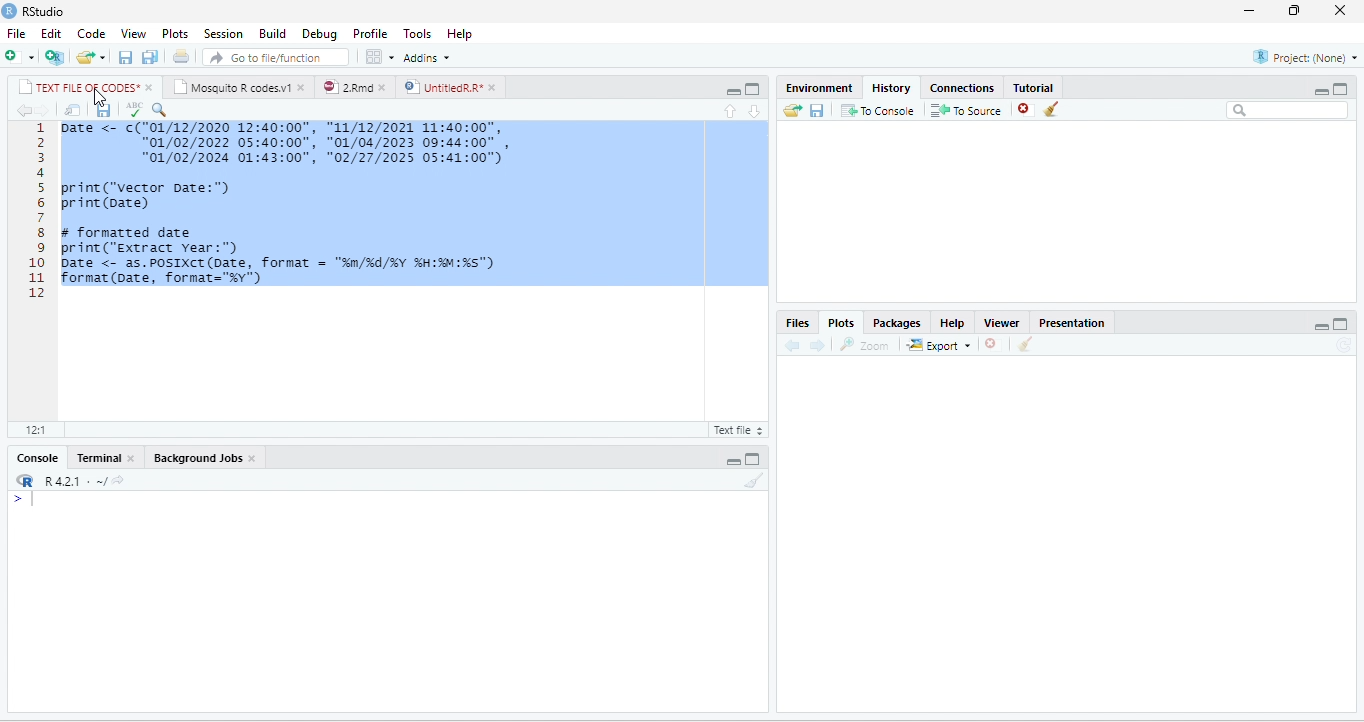 The height and width of the screenshot is (722, 1364). Describe the element at coordinates (817, 345) in the screenshot. I see `forward` at that location.